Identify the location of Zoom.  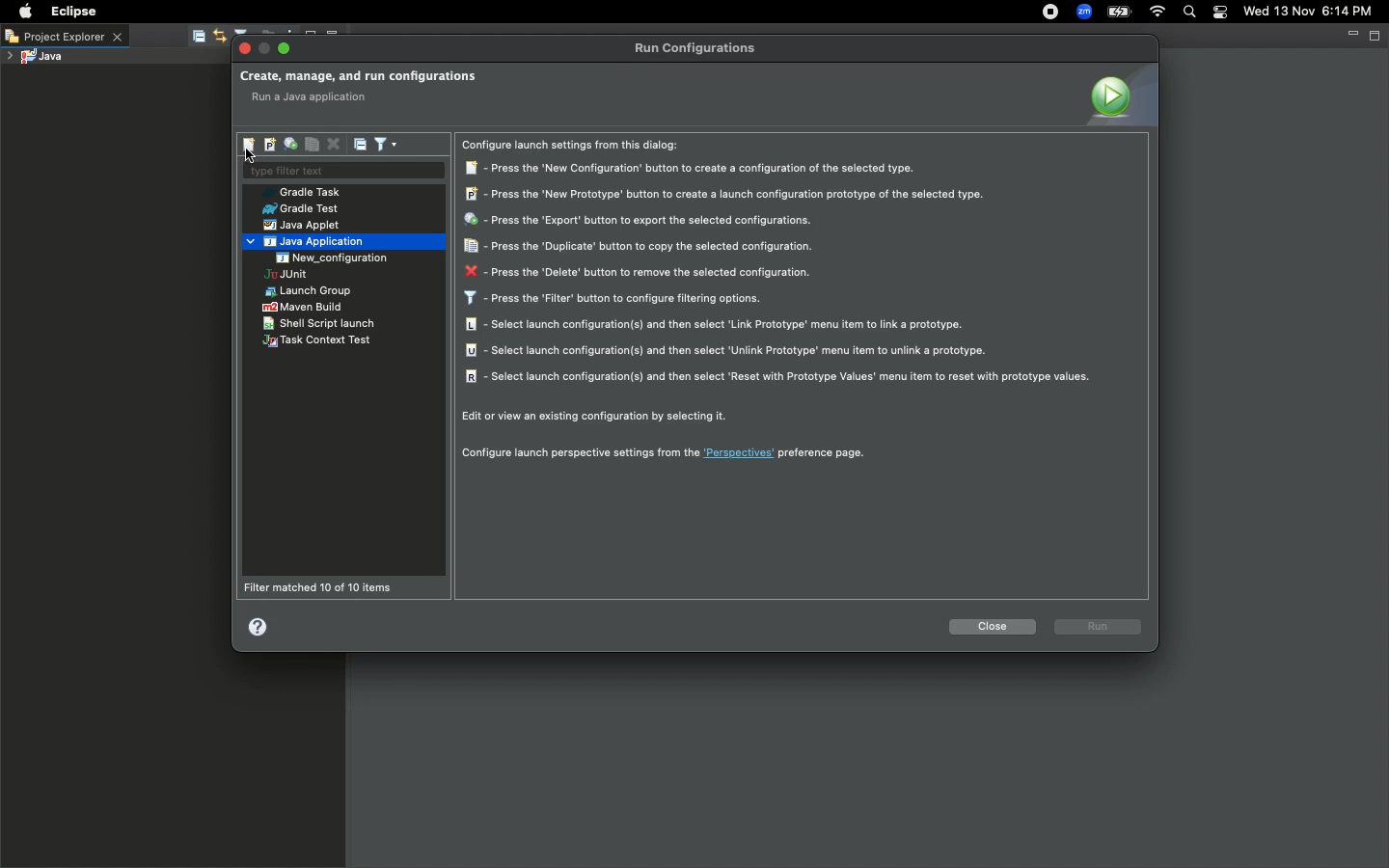
(1081, 14).